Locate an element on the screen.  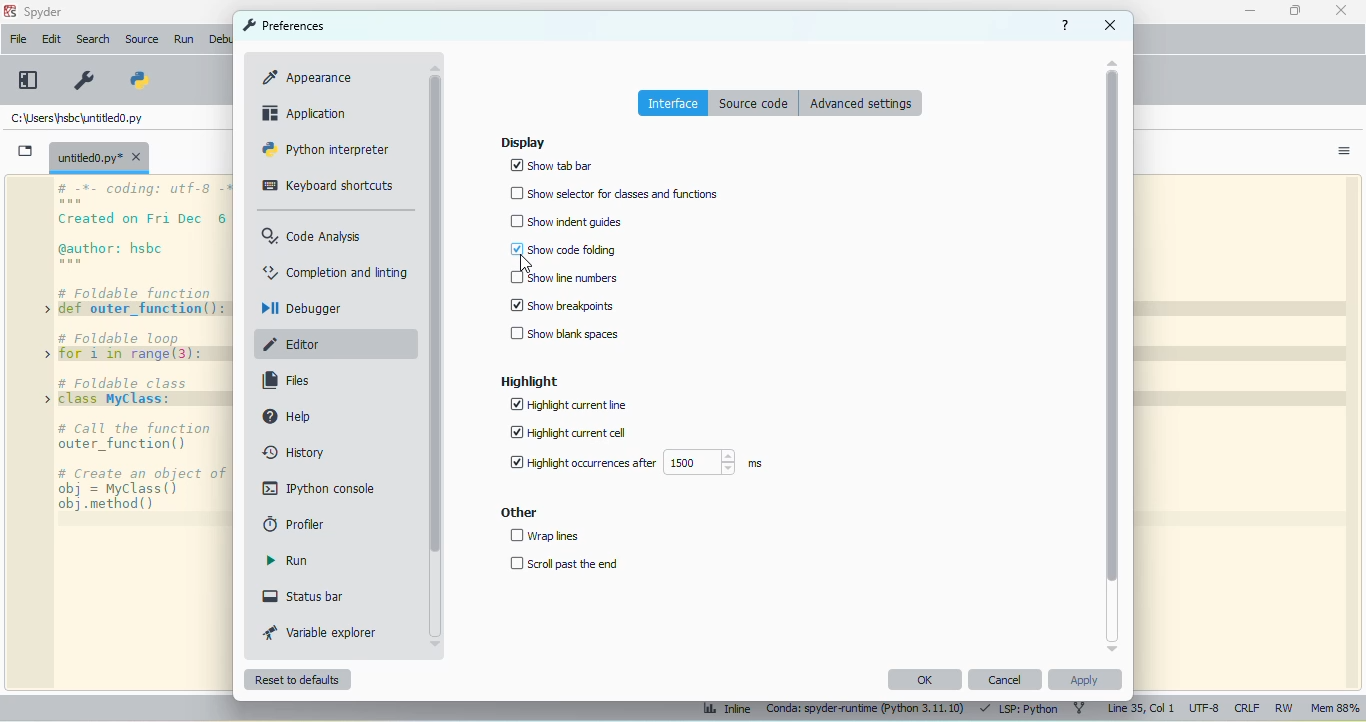
untitled0.py is located at coordinates (99, 157).